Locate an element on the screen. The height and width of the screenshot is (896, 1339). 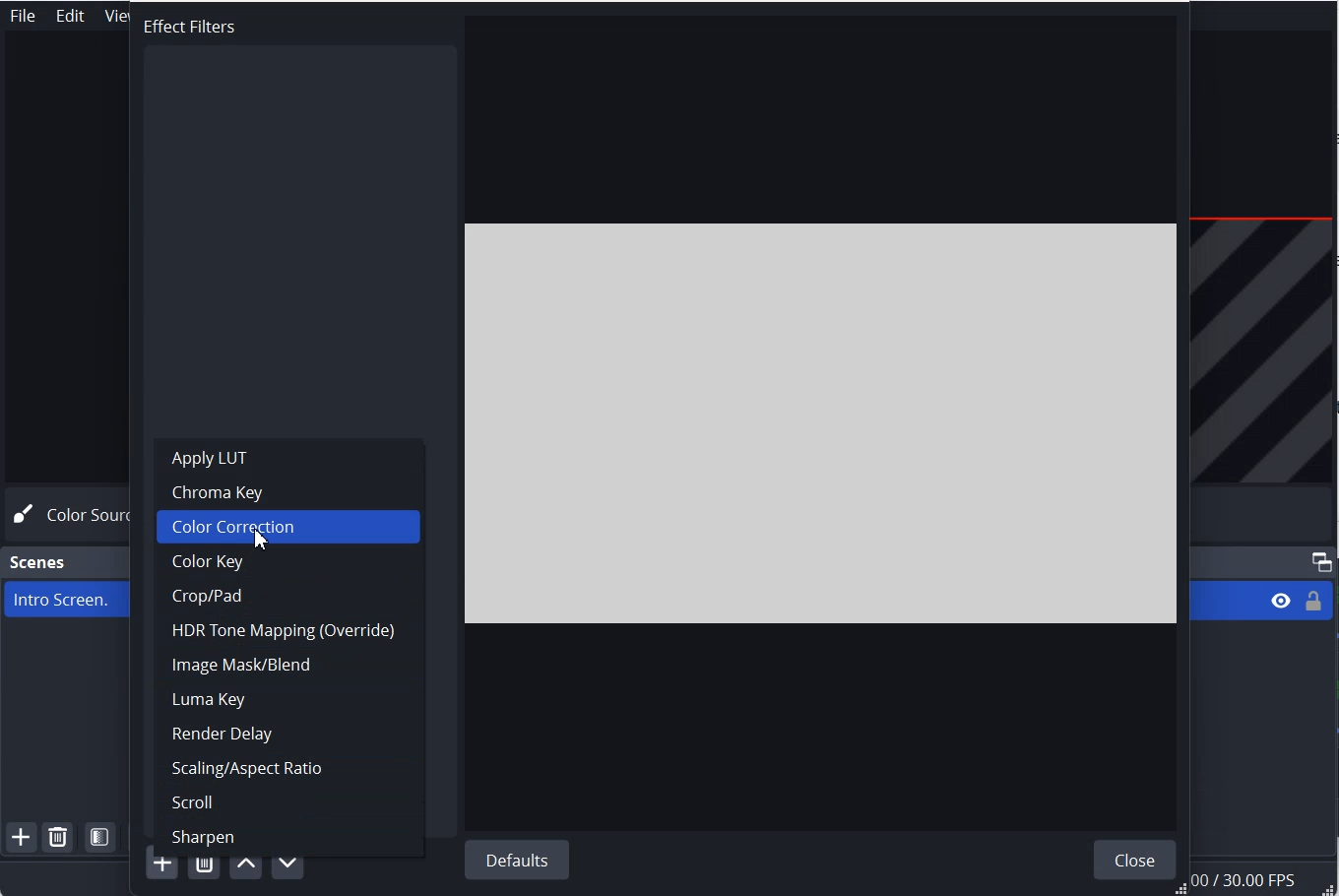
Cursor is located at coordinates (261, 540).